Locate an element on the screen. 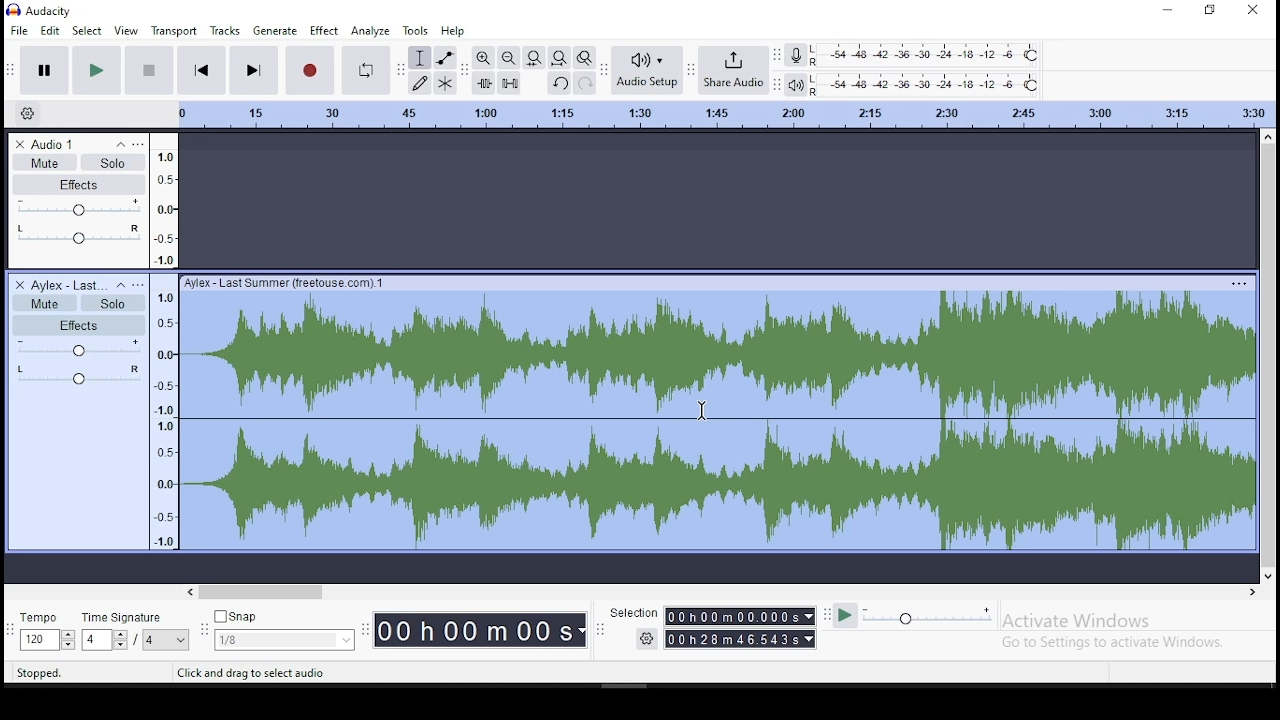 The height and width of the screenshot is (720, 1280). recording level is located at coordinates (928, 56).